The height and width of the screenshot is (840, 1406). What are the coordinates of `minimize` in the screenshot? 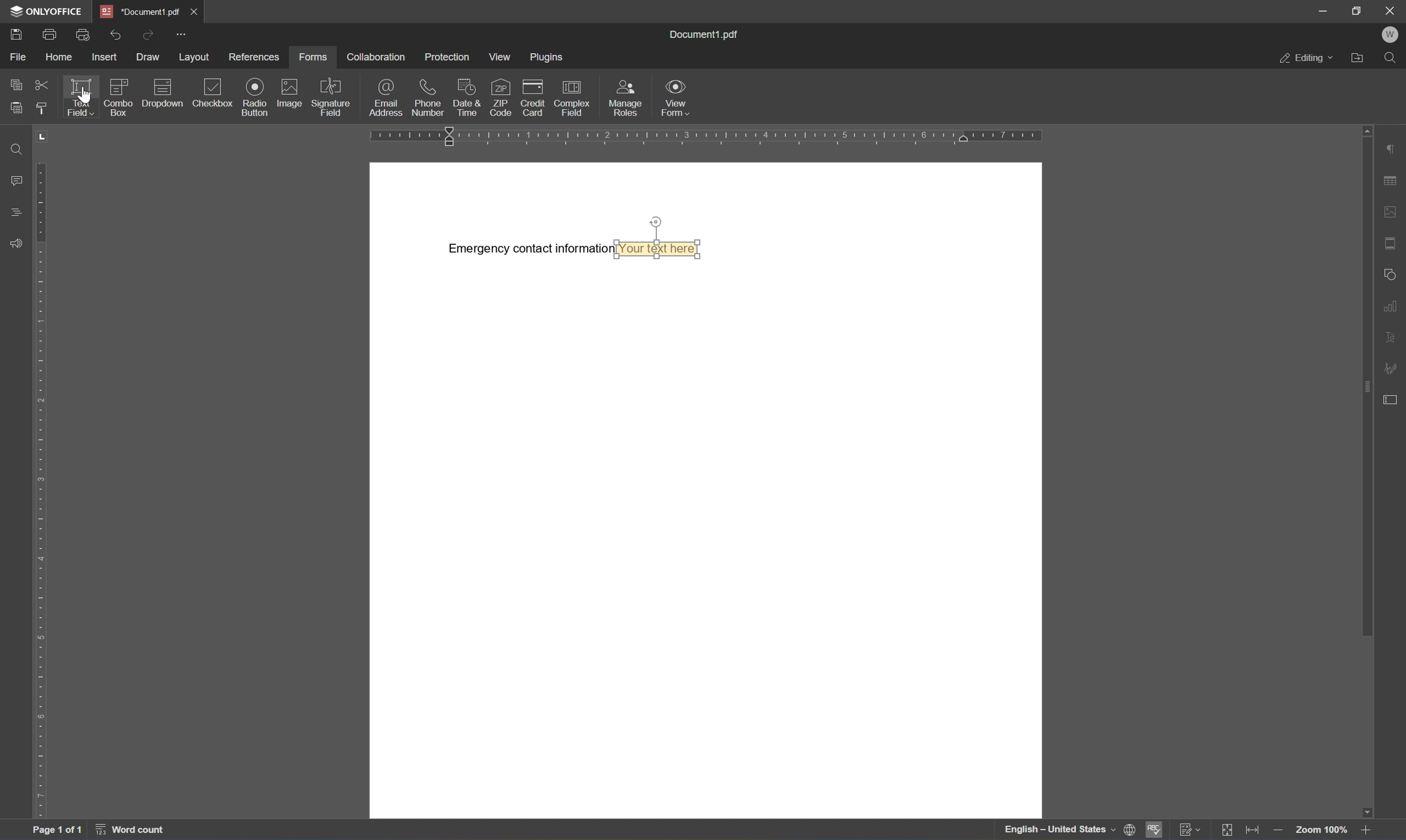 It's located at (1318, 10).